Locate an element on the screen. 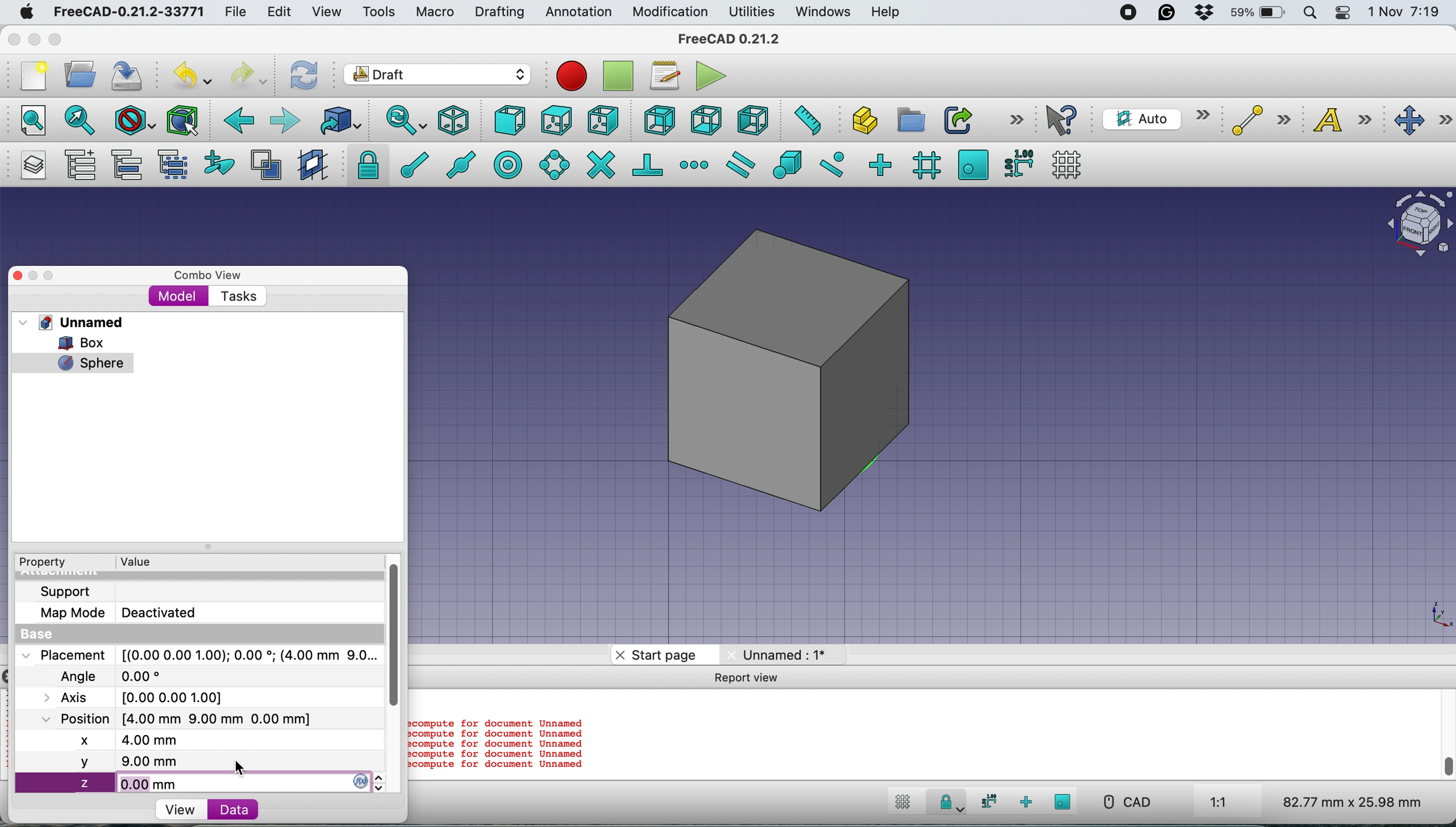 This screenshot has height=827, width=1456. support is located at coordinates (69, 590).